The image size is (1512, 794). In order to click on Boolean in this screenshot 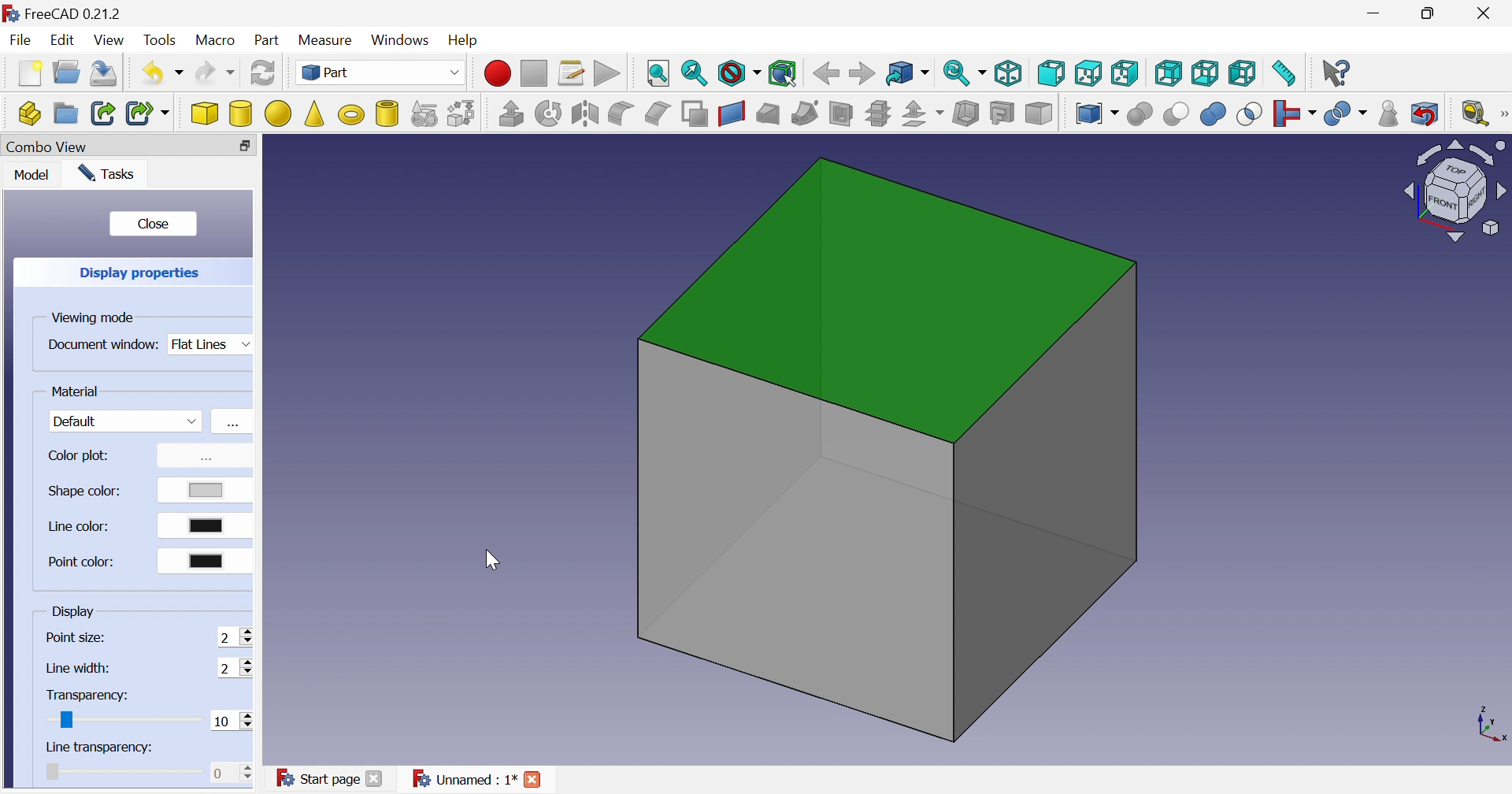, I will do `click(1141, 113)`.